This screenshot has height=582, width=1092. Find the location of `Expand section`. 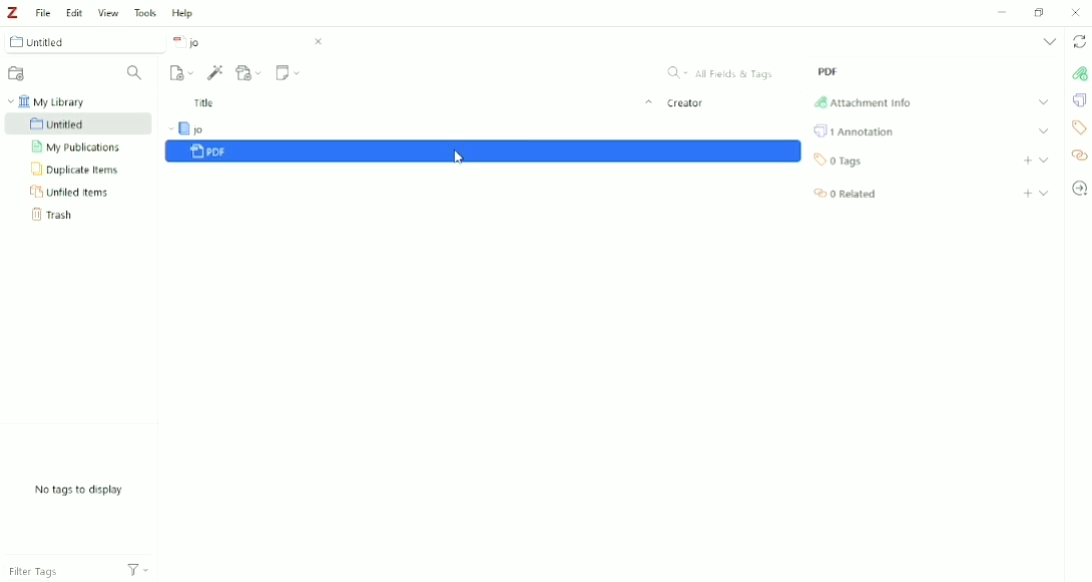

Expand section is located at coordinates (1045, 159).